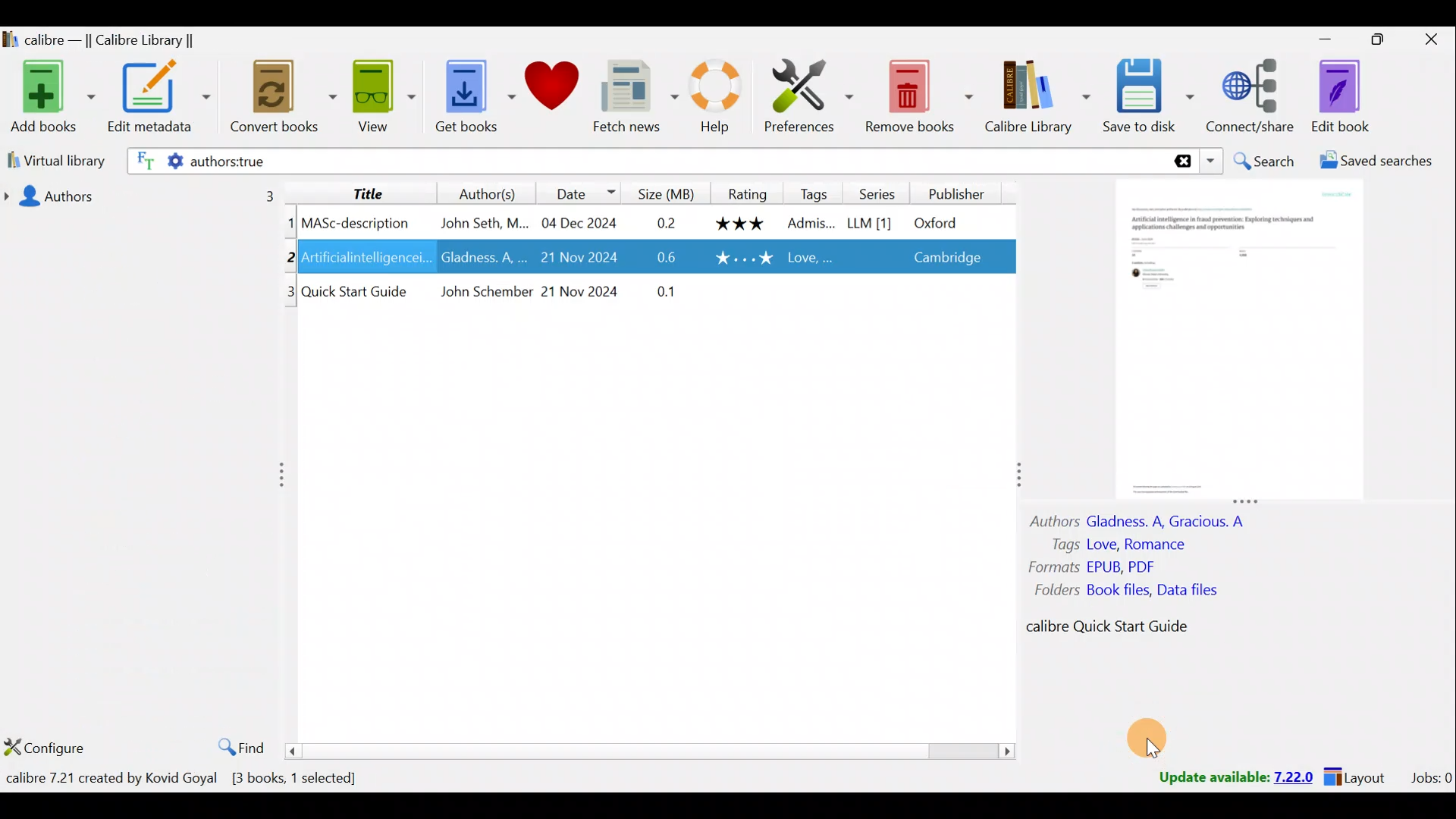 This screenshot has width=1456, height=819. I want to click on Calibre library, so click(122, 39).